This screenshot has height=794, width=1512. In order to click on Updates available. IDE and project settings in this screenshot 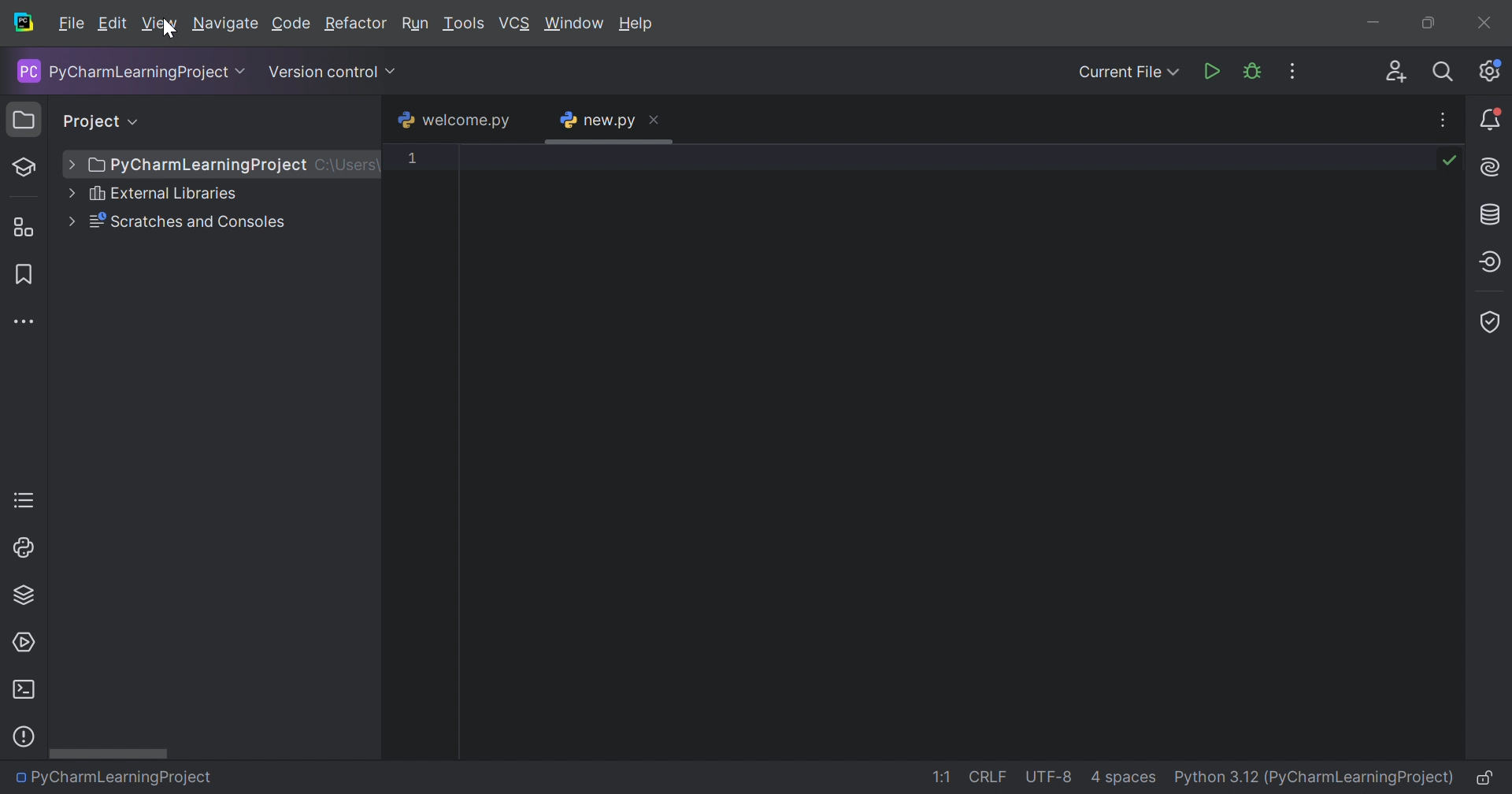, I will do `click(1492, 70)`.